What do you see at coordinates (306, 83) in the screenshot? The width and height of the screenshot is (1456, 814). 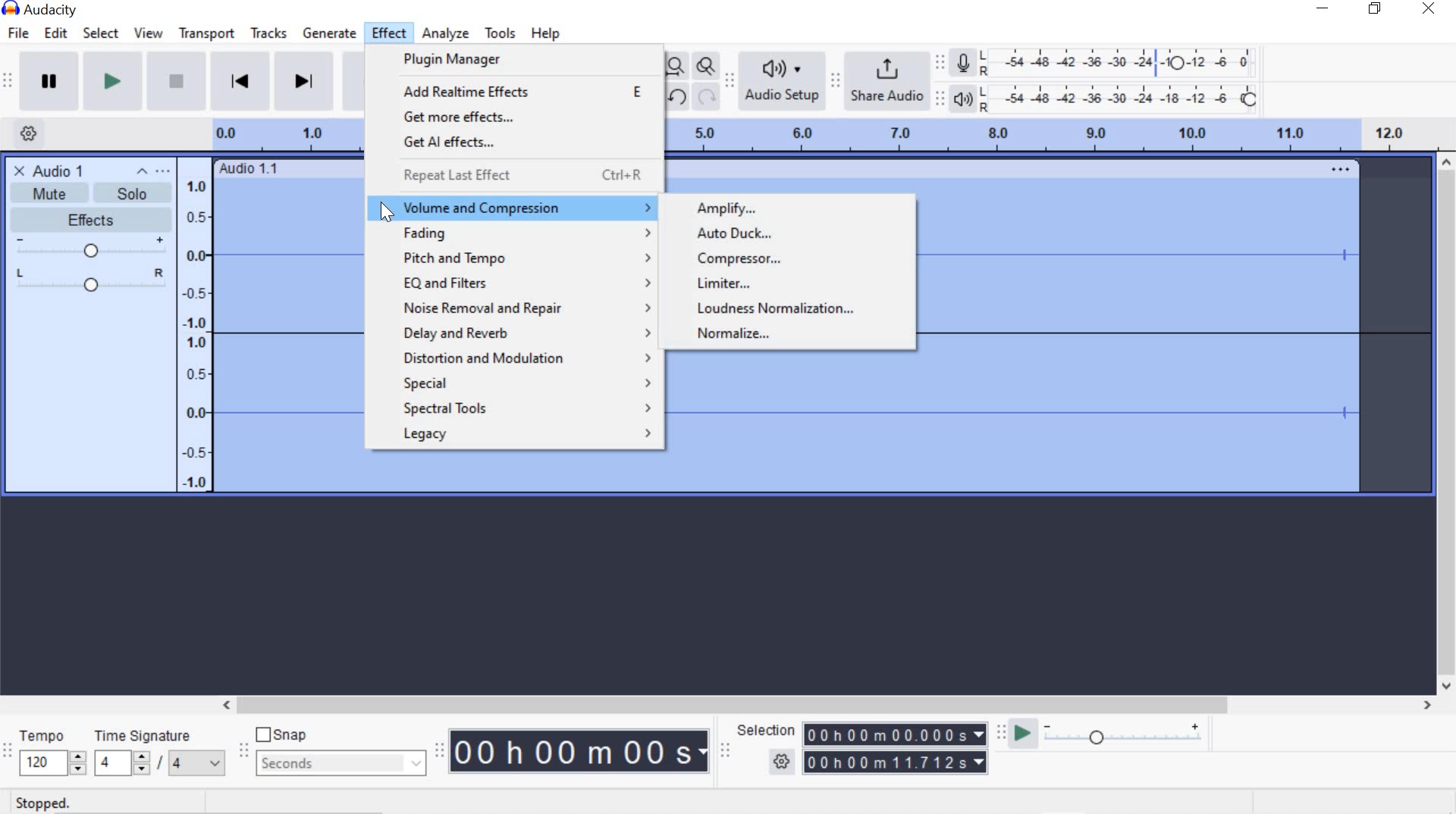 I see `Skip to End` at bounding box center [306, 83].